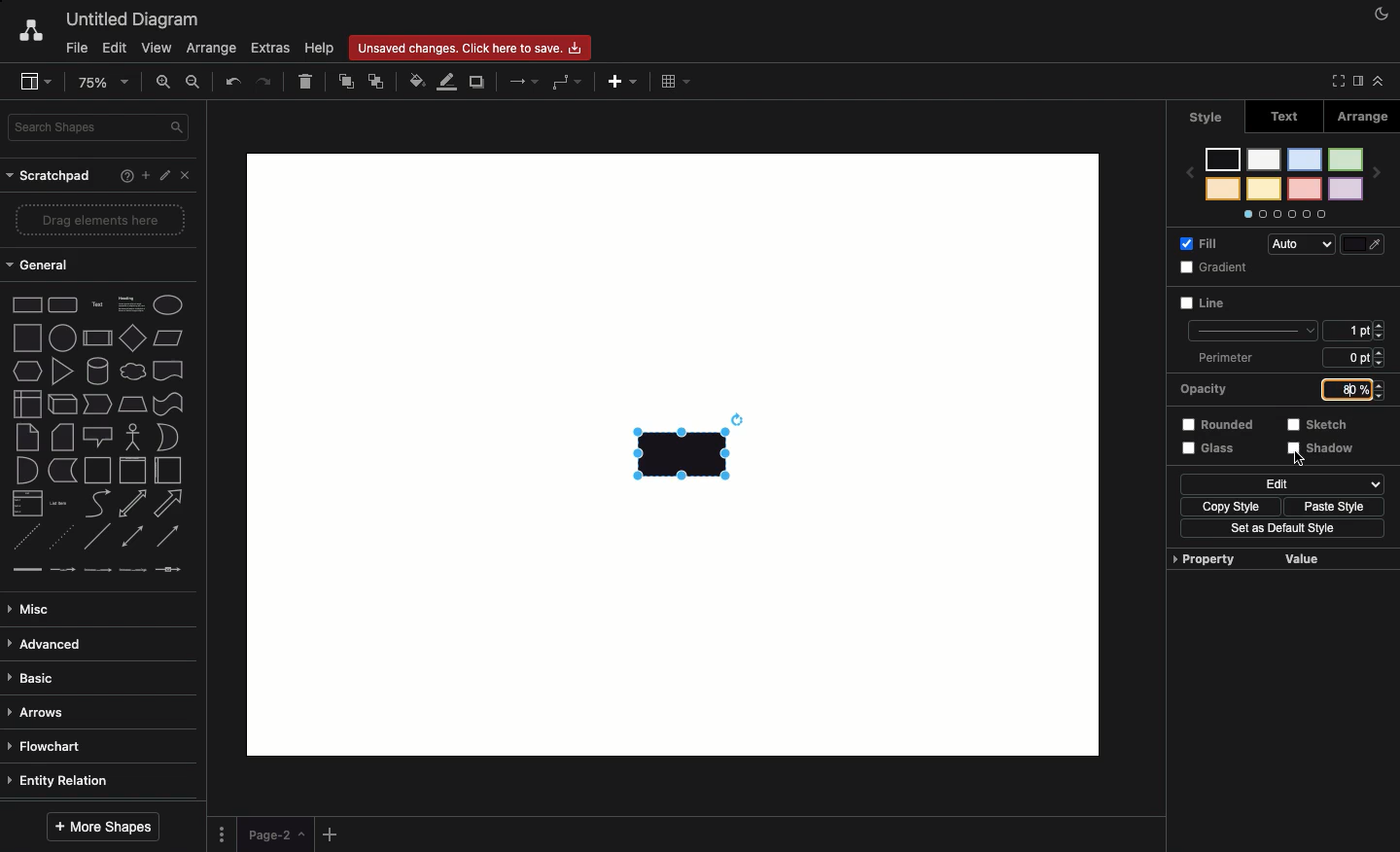  Describe the element at coordinates (1302, 458) in the screenshot. I see `Select` at that location.